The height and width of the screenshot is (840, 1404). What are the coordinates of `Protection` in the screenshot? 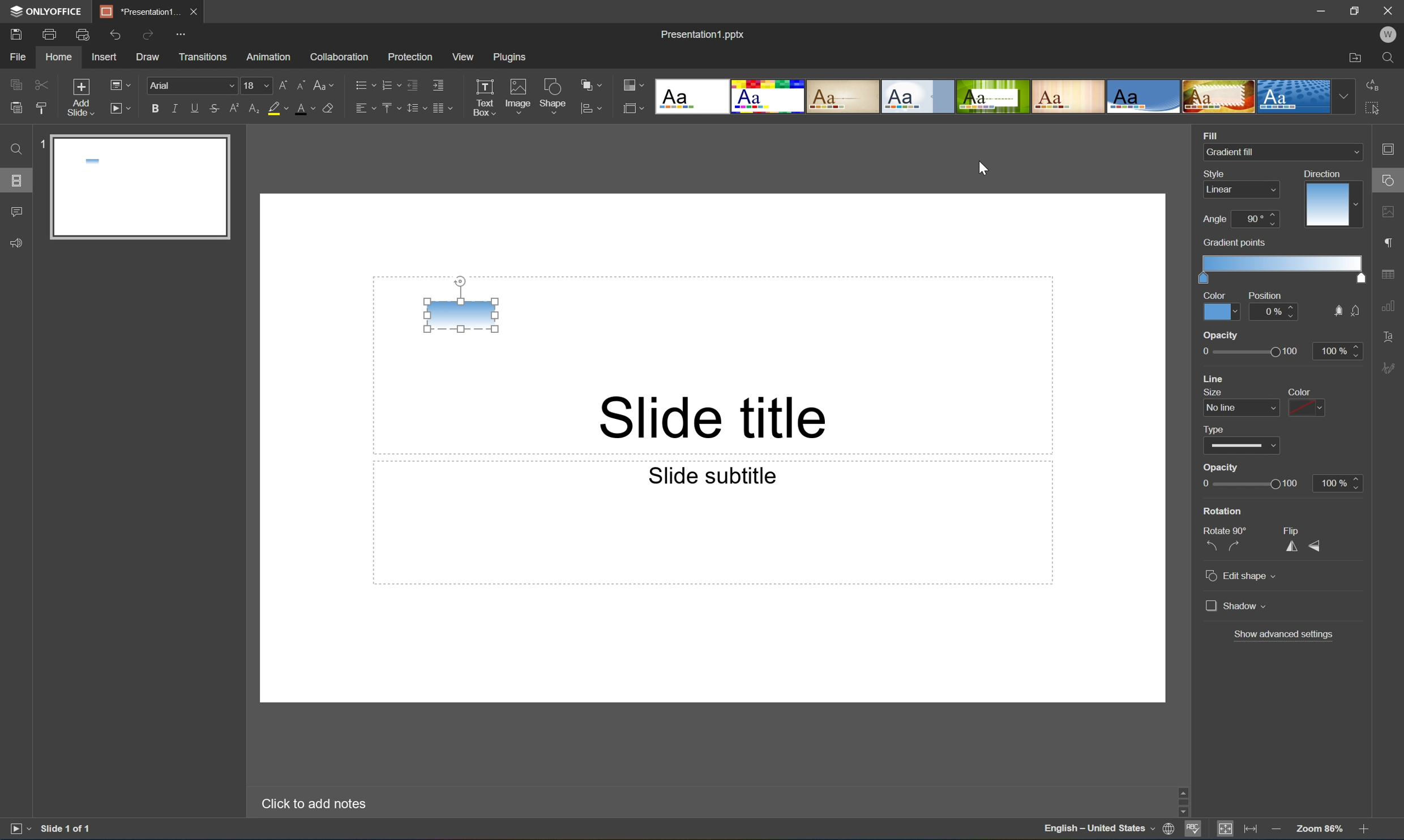 It's located at (409, 56).